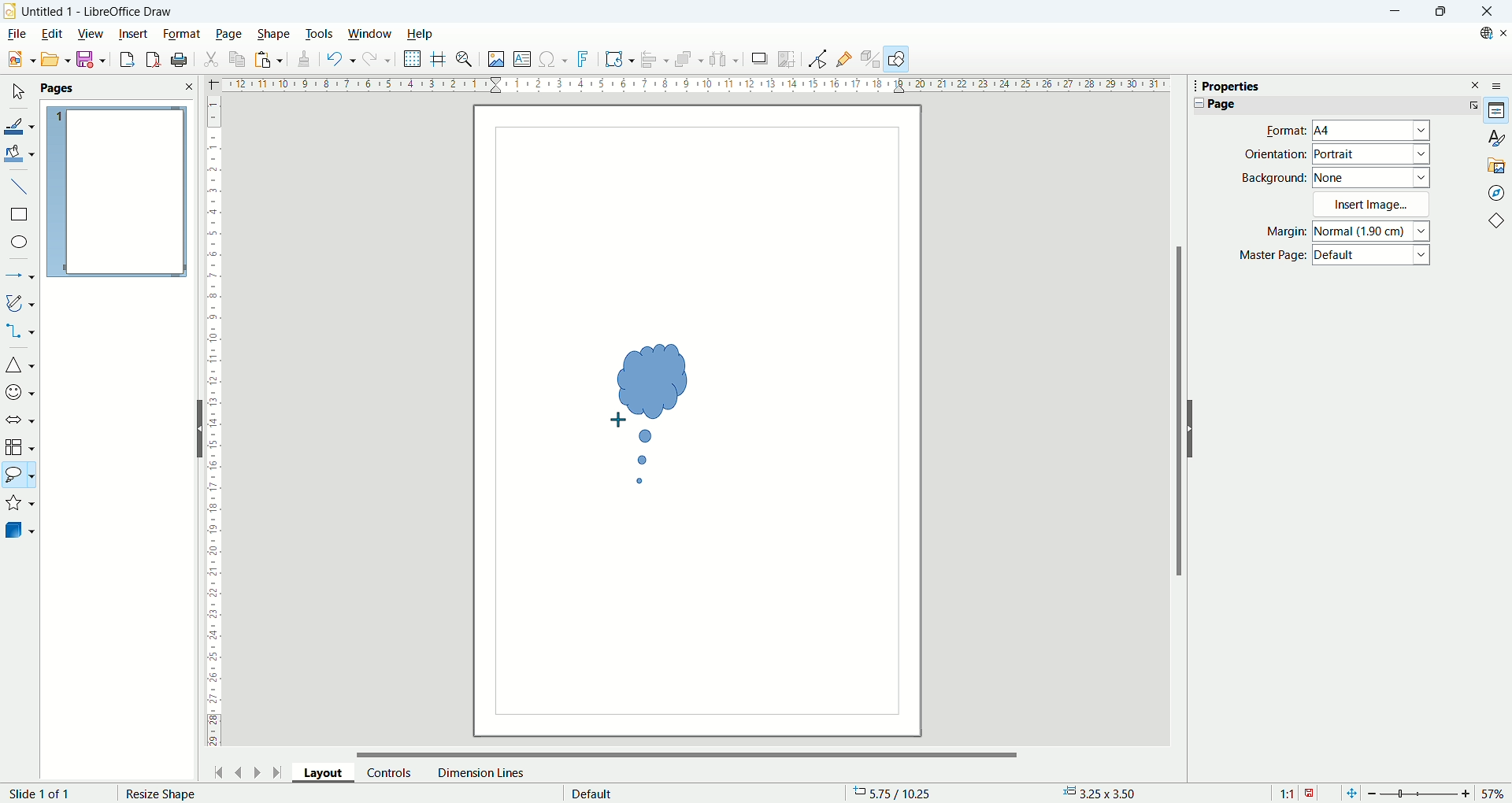 This screenshot has height=803, width=1512. Describe the element at coordinates (20, 153) in the screenshot. I see `fill color` at that location.